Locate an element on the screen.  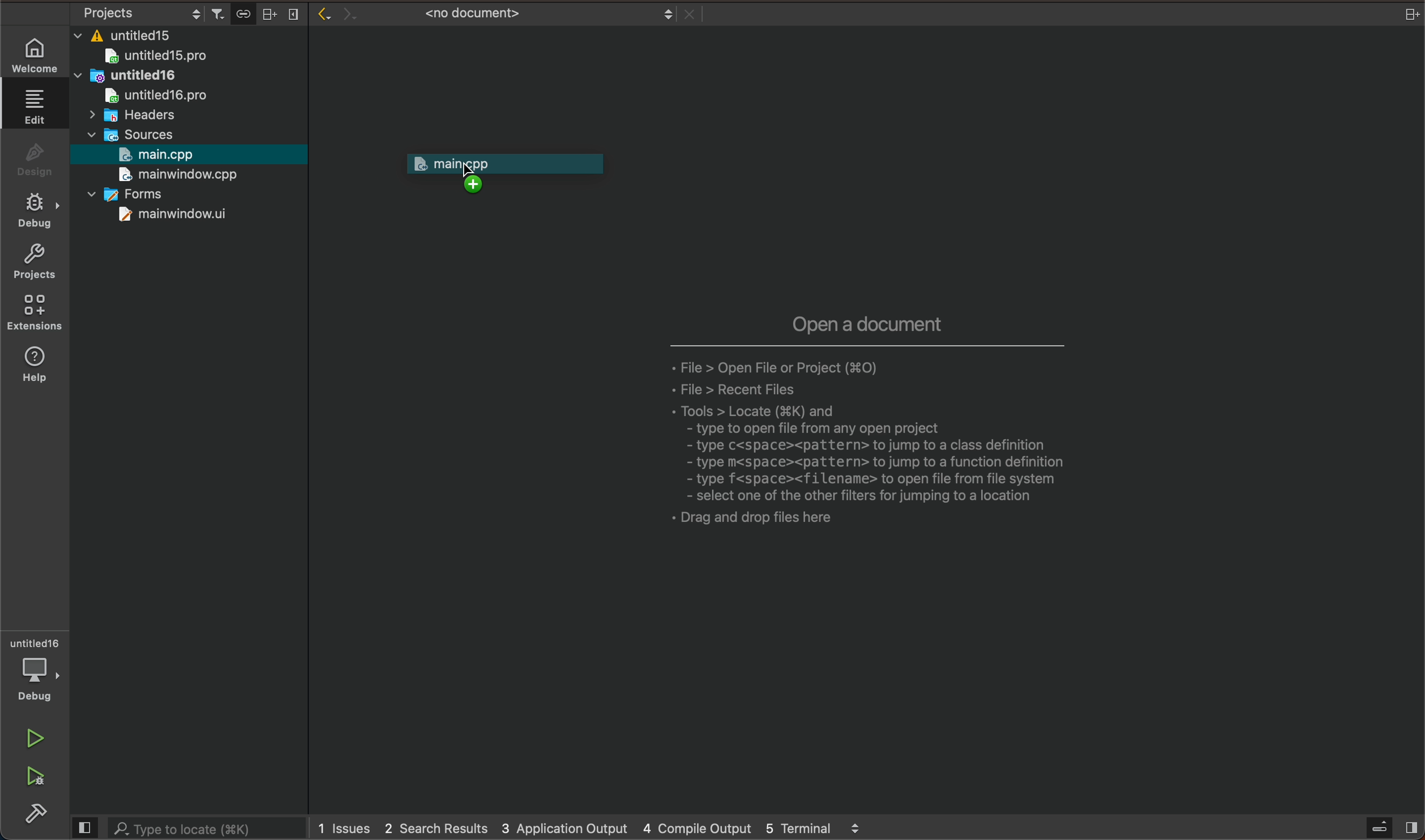
untitled 15 is located at coordinates (170, 58).